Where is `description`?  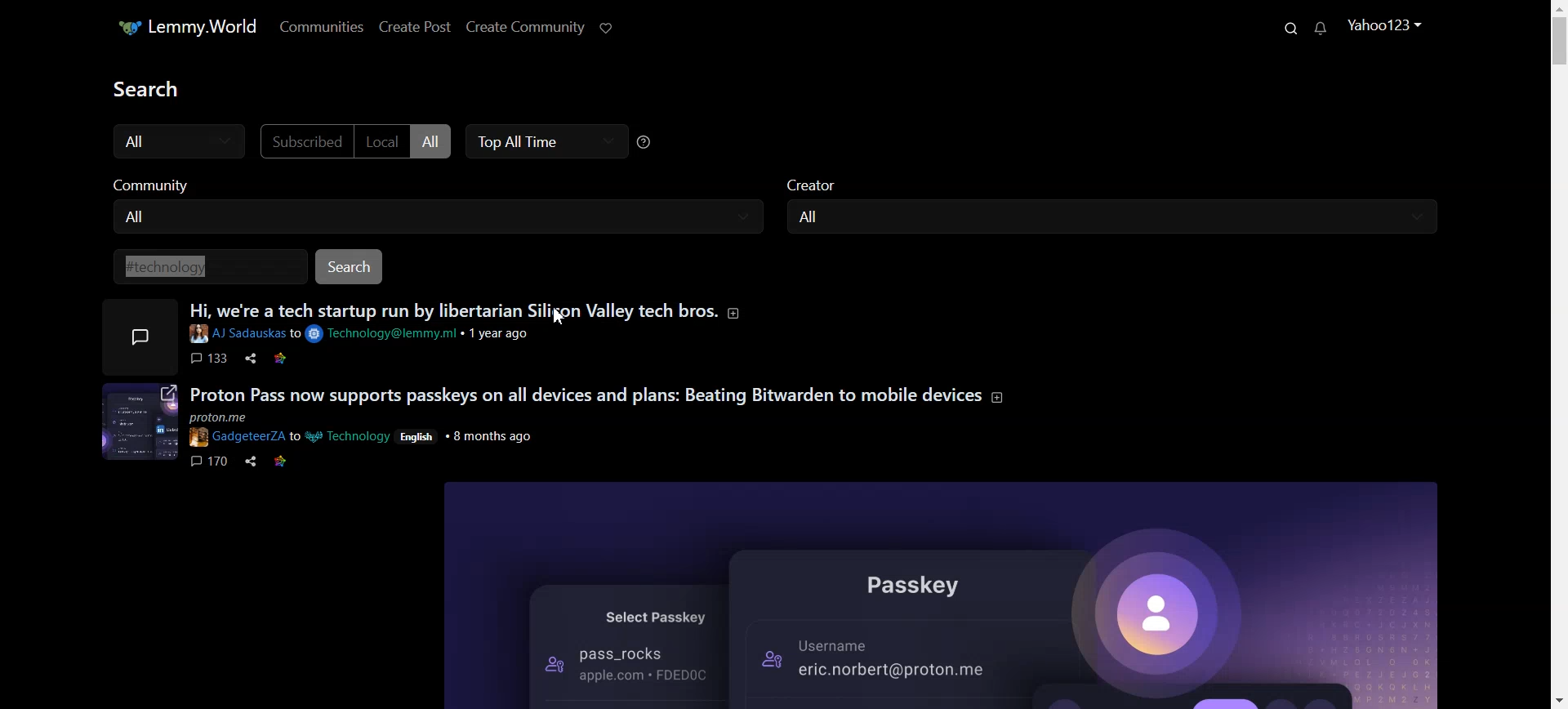 description is located at coordinates (737, 312).